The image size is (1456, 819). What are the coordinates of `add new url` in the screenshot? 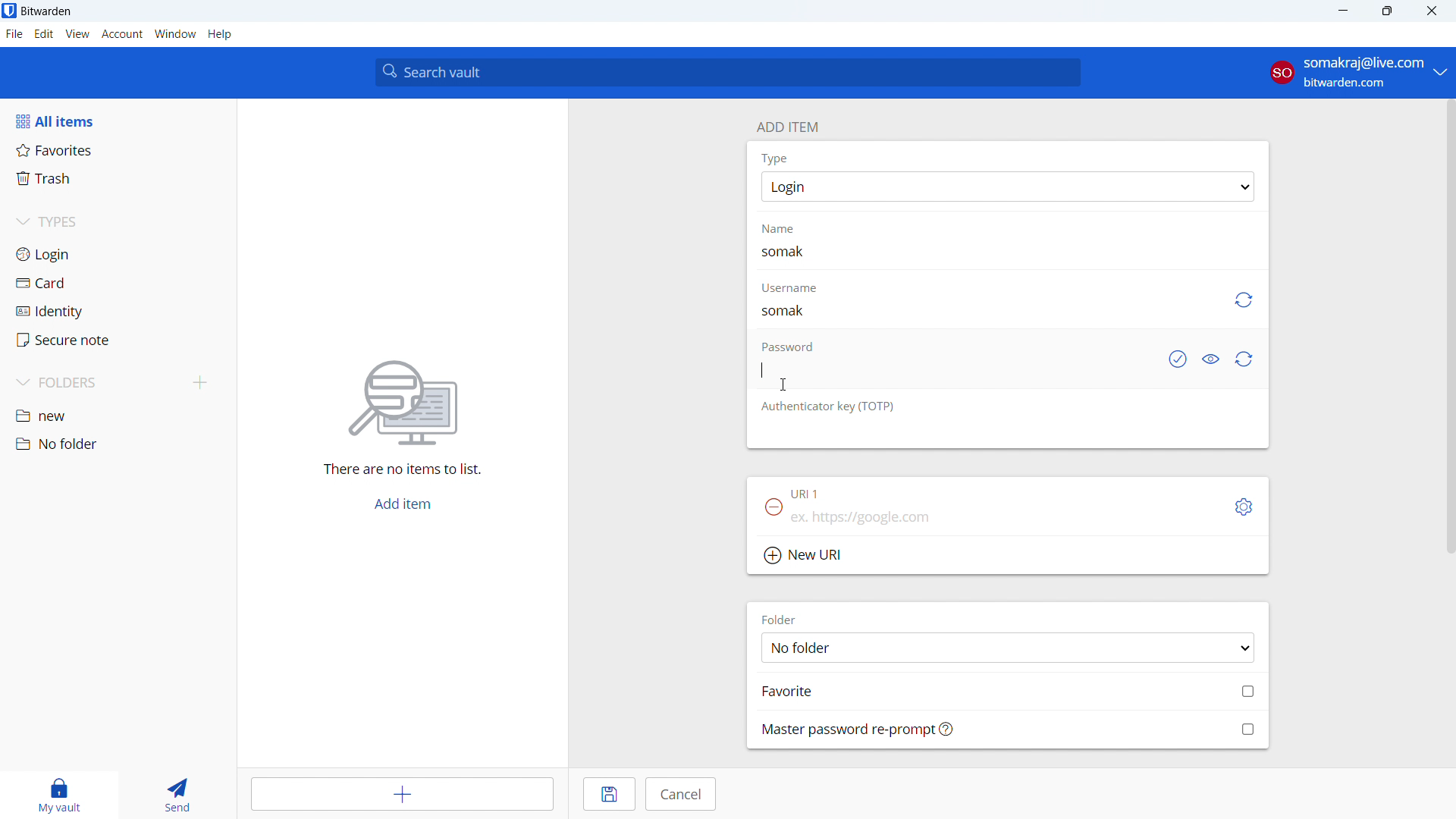 It's located at (1008, 557).